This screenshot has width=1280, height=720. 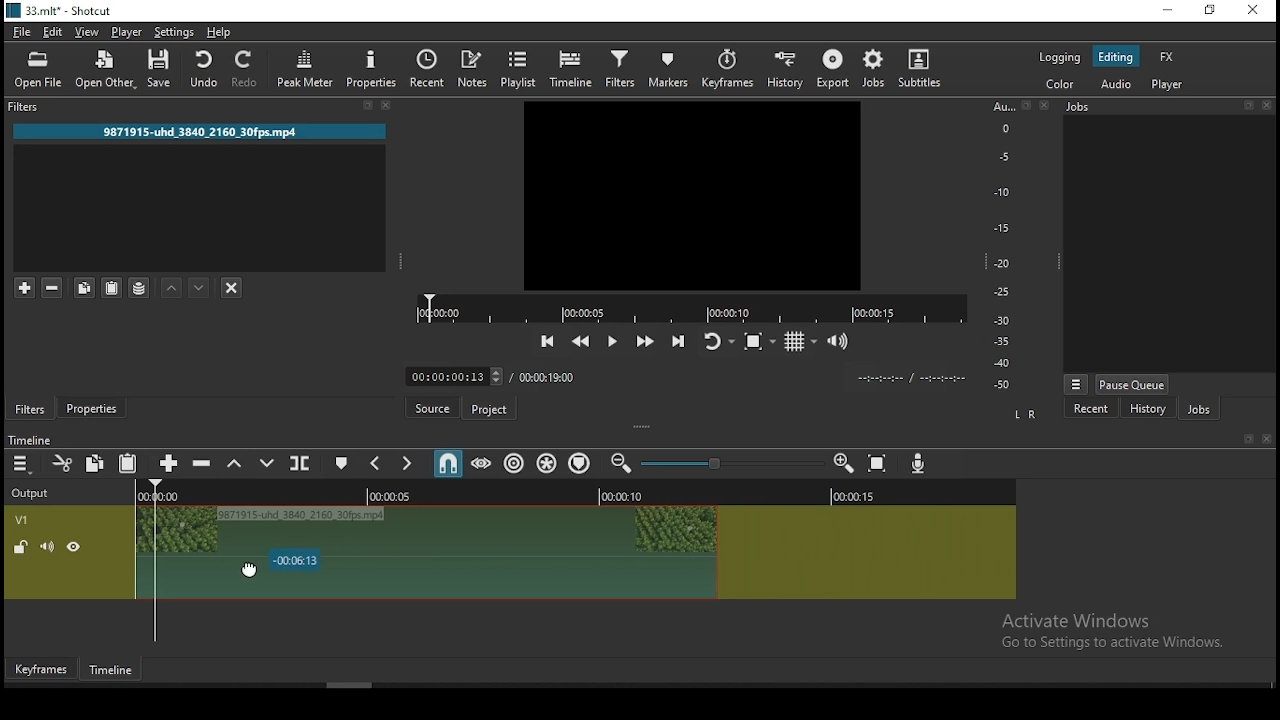 What do you see at coordinates (490, 375) in the screenshot?
I see `00:00:00:13 3 7 00:00:19:00` at bounding box center [490, 375].